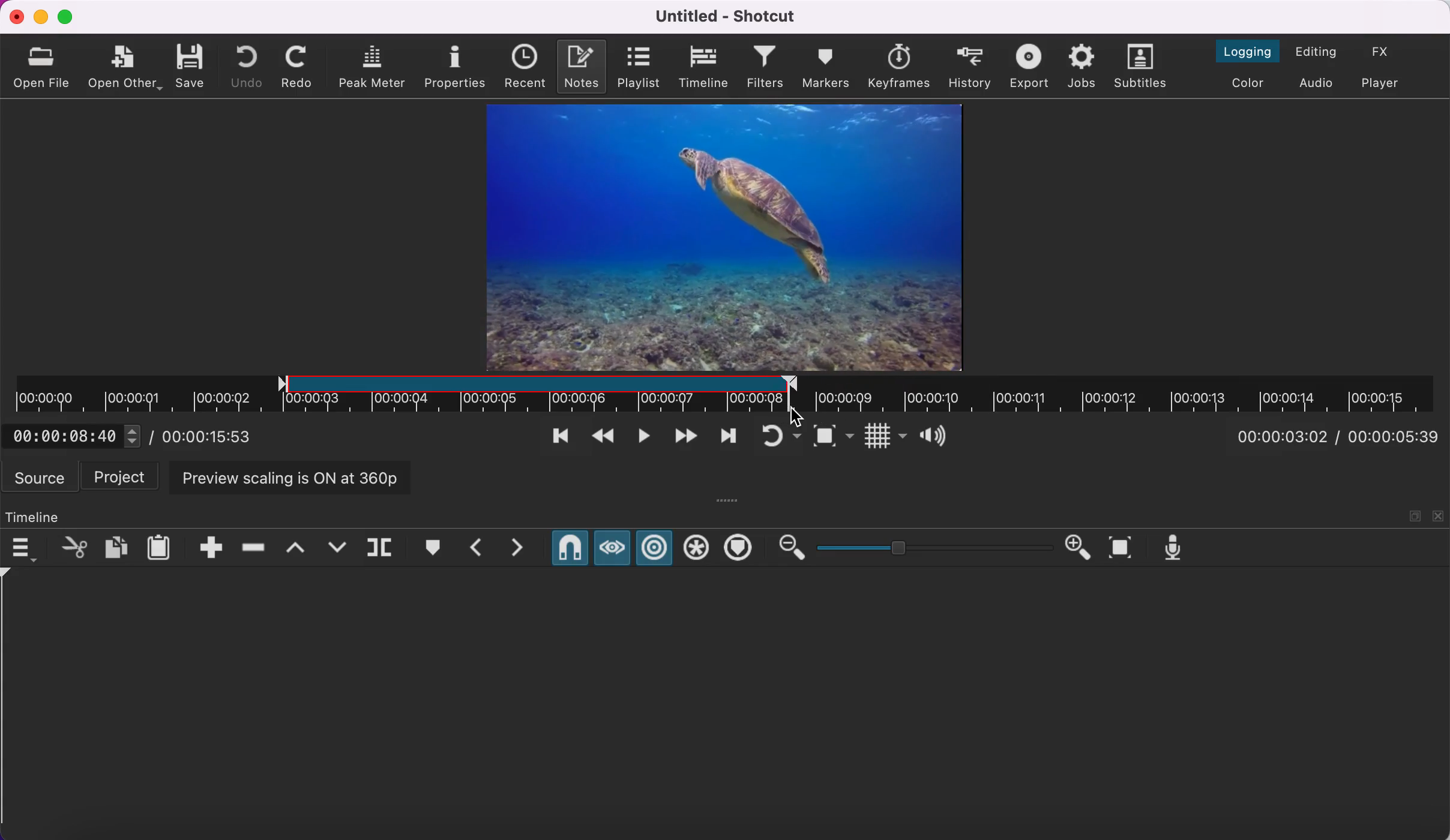  Describe the element at coordinates (1251, 83) in the screenshot. I see `switch to the color layout` at that location.